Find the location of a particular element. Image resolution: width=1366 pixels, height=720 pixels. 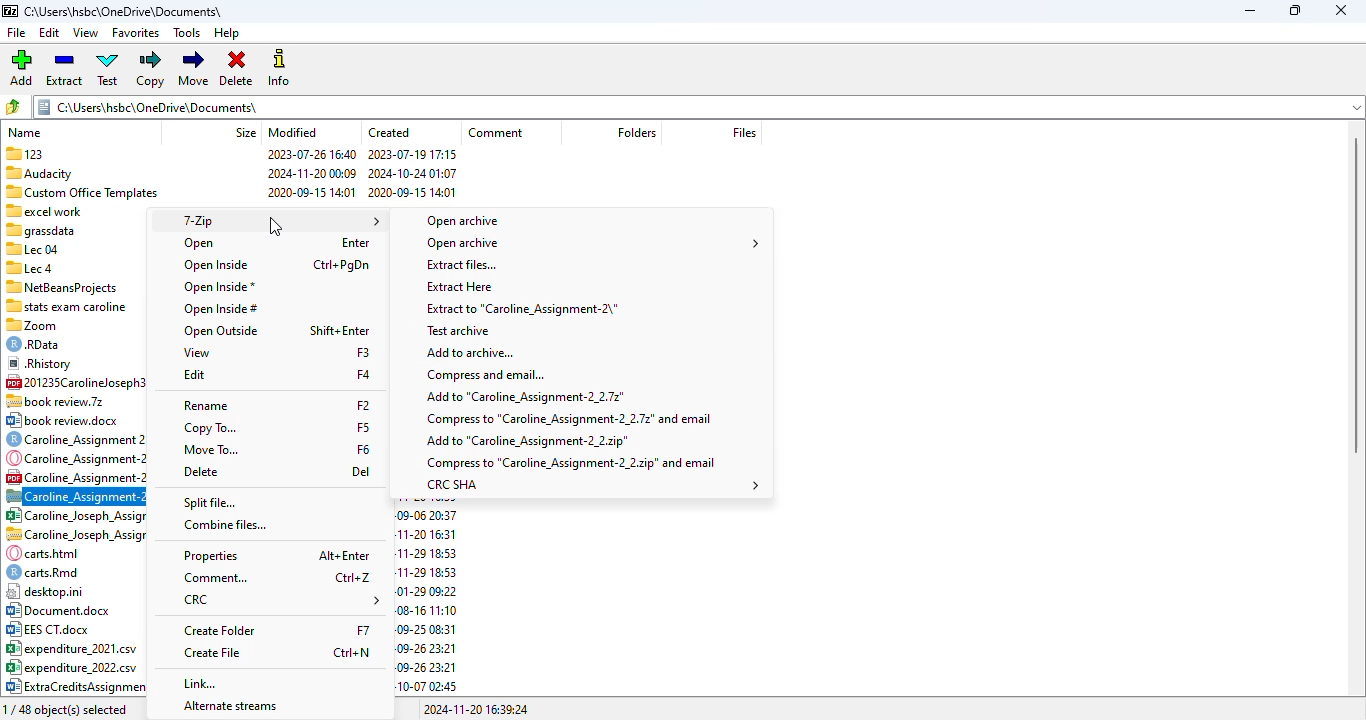

shortcut for rename is located at coordinates (363, 405).